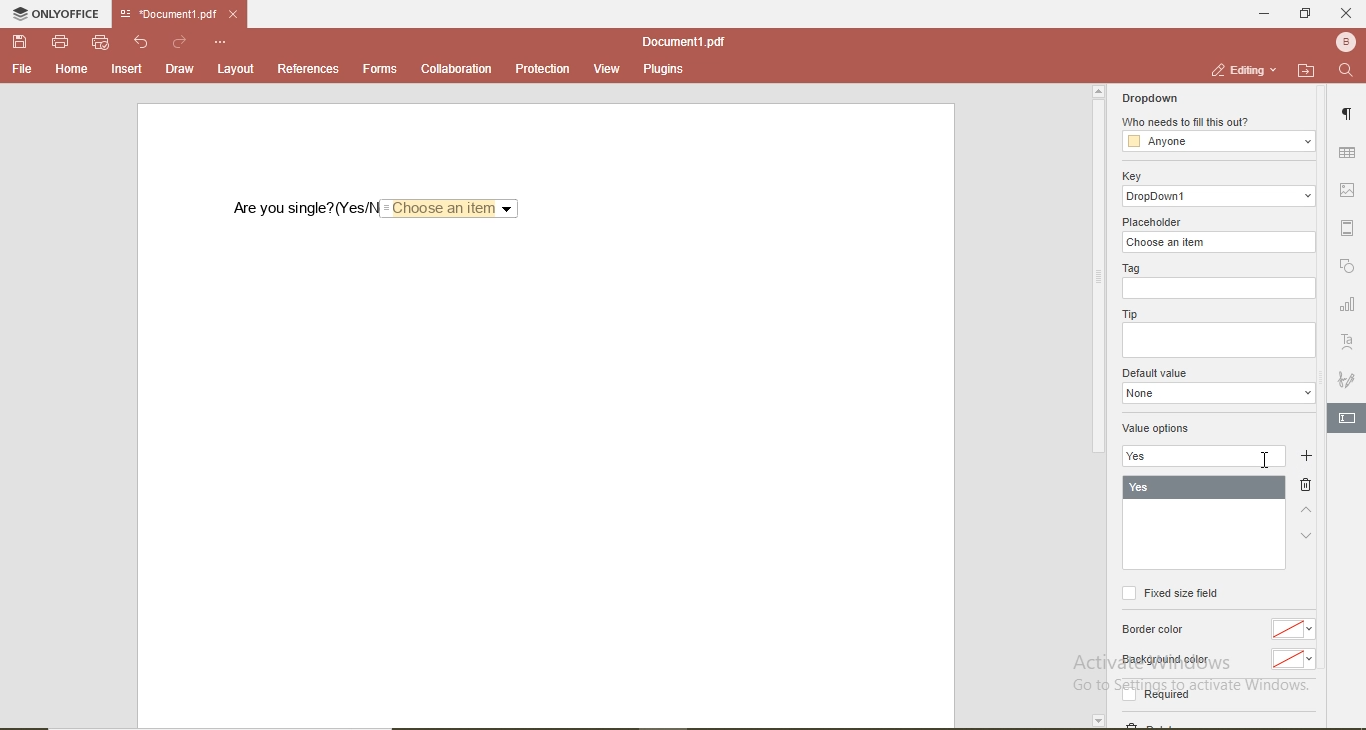 The height and width of the screenshot is (730, 1366). Describe the element at coordinates (23, 70) in the screenshot. I see `file` at that location.